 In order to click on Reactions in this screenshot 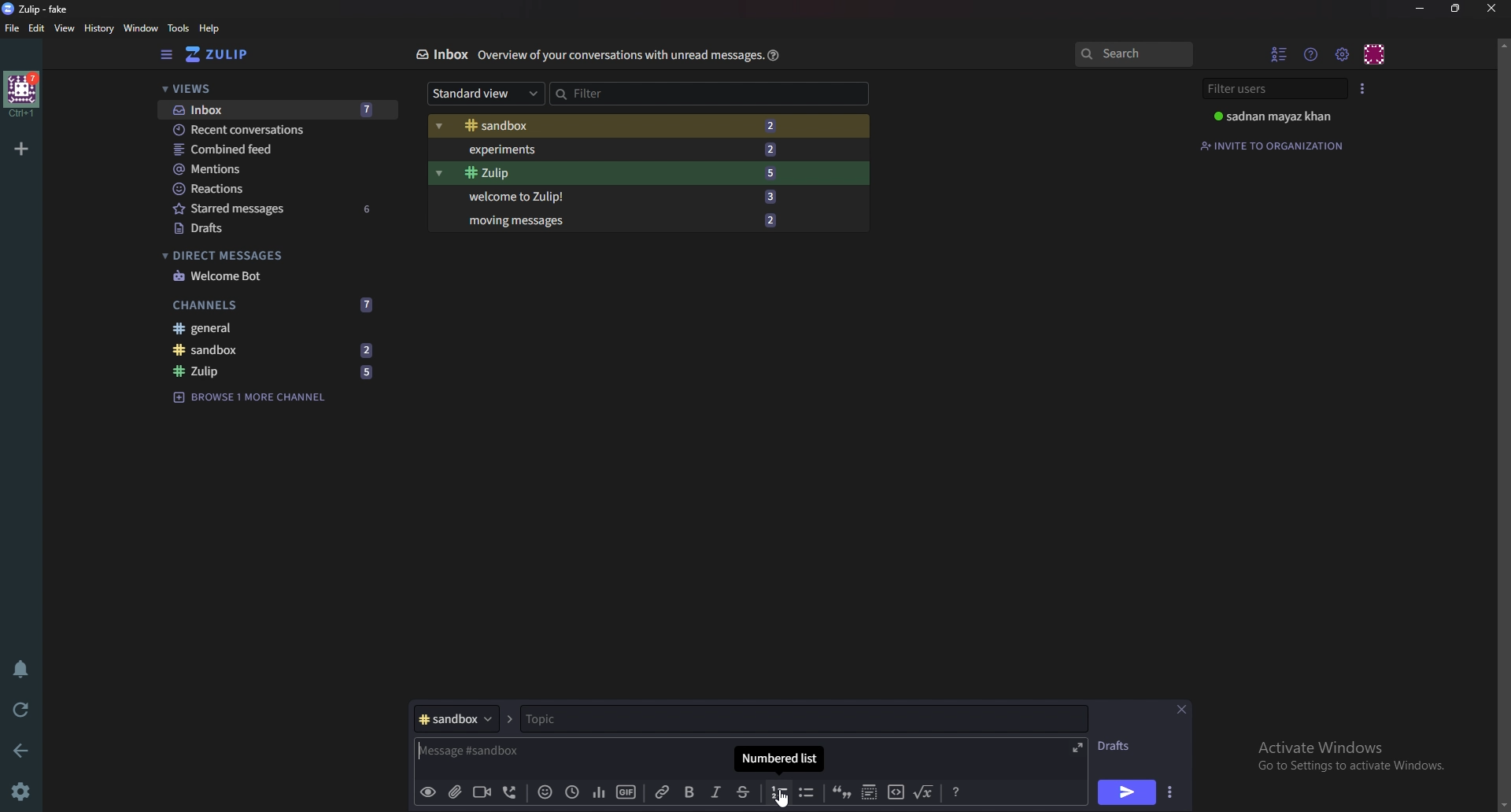, I will do `click(273, 187)`.